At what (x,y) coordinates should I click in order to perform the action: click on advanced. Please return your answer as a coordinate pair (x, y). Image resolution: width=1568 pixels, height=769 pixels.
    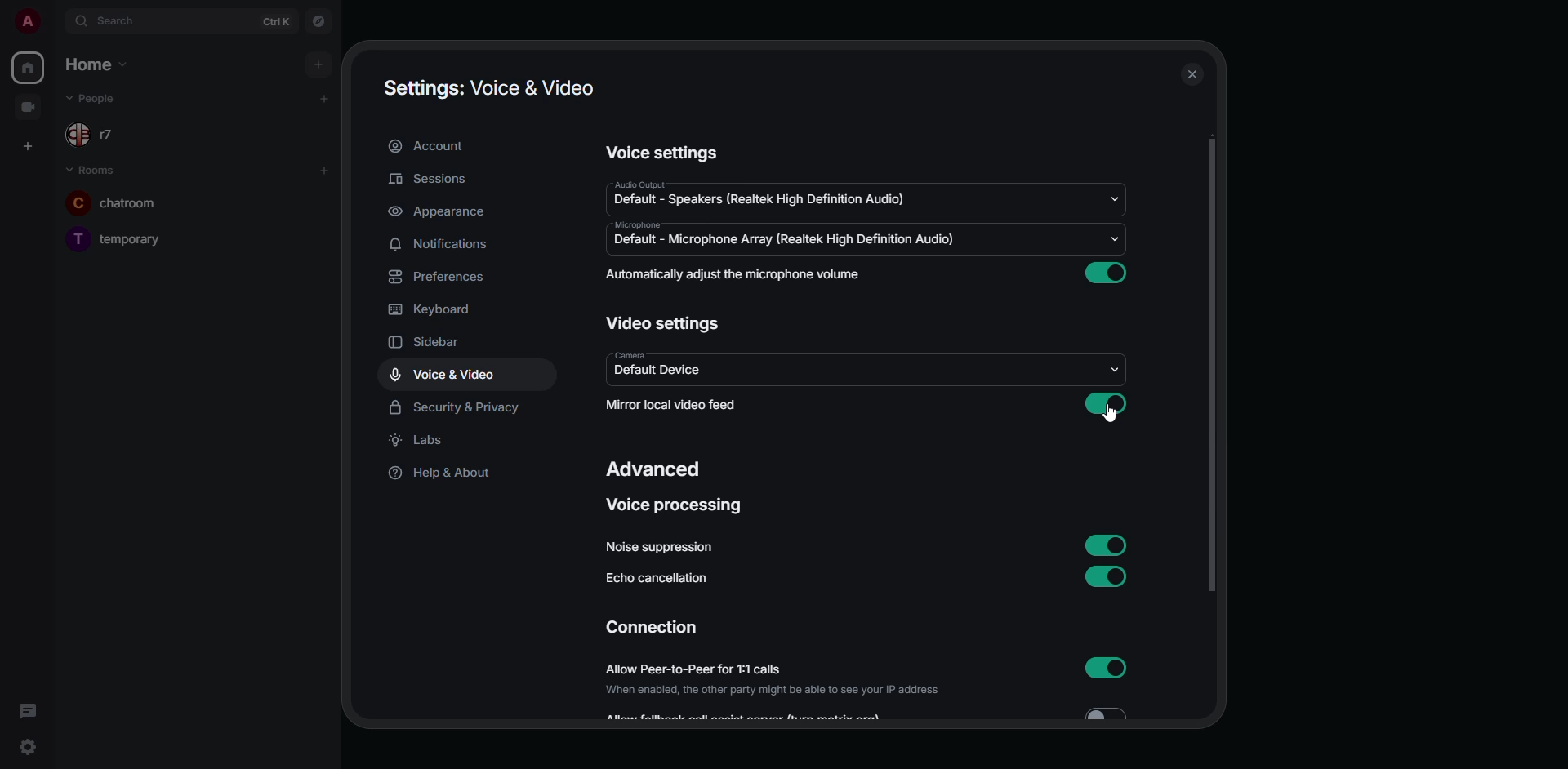
    Looking at the image, I should click on (657, 468).